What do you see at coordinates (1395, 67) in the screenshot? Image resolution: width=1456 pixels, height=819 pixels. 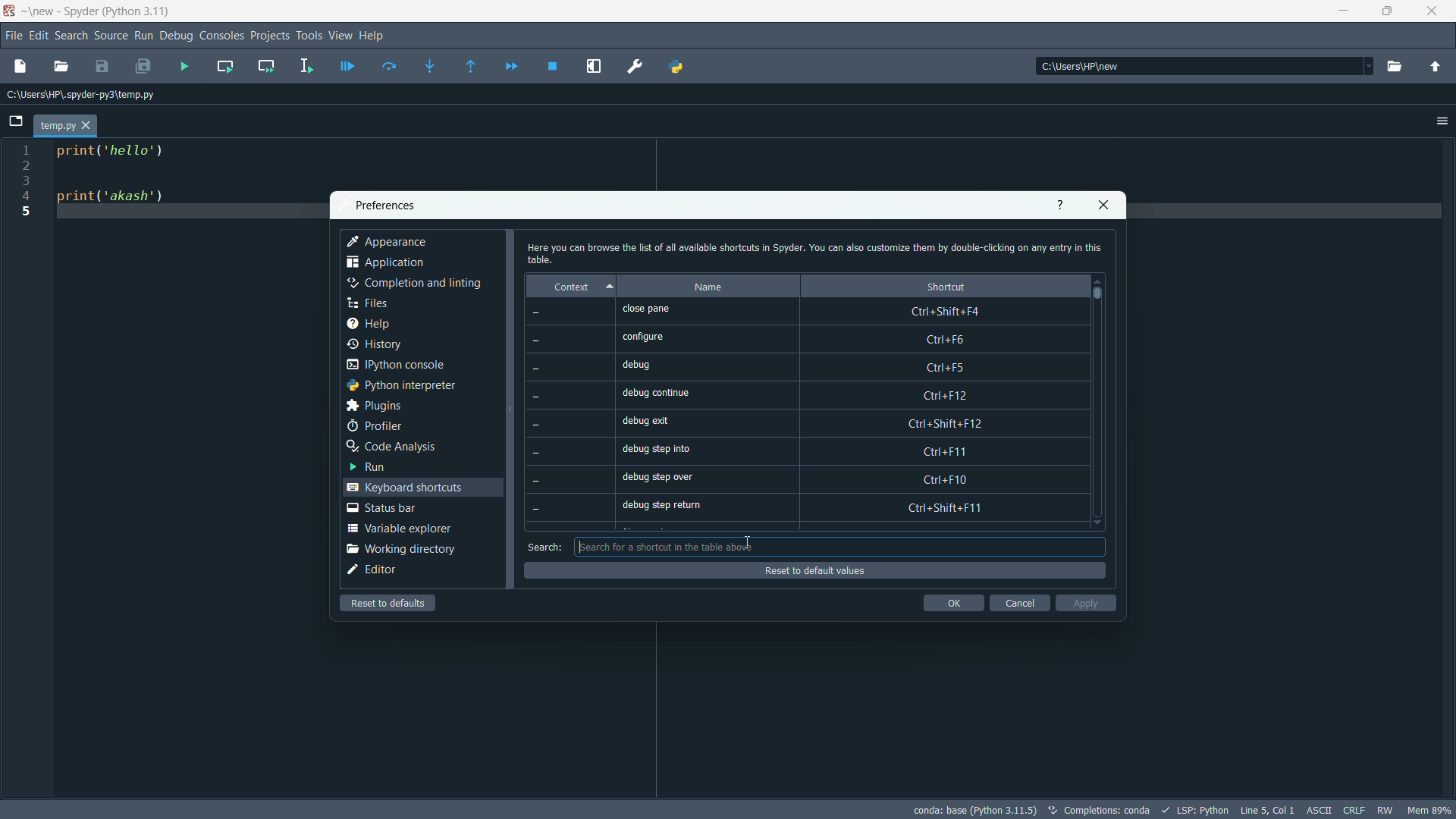 I see `browse directory` at bounding box center [1395, 67].